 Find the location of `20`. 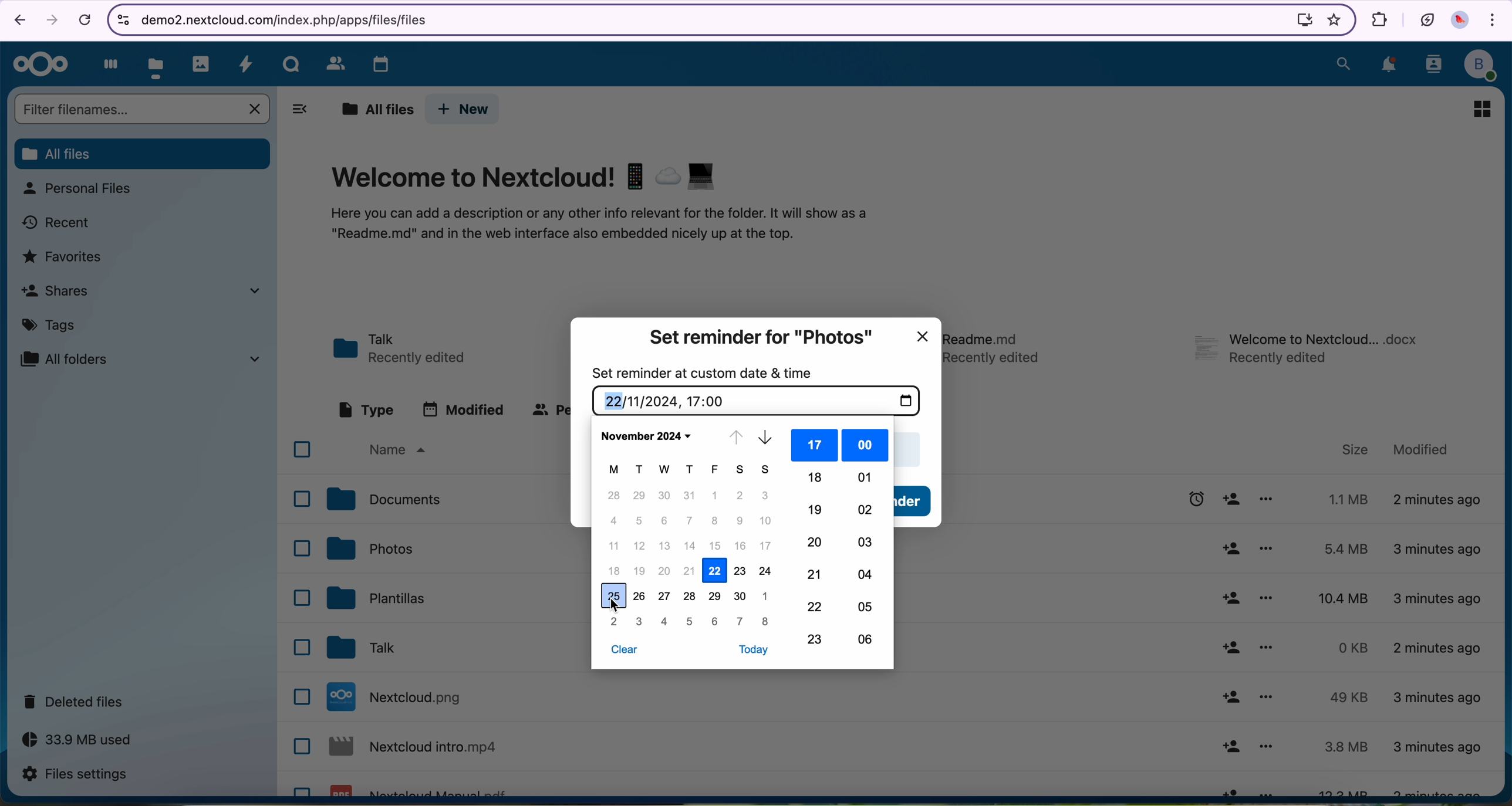

20 is located at coordinates (666, 573).